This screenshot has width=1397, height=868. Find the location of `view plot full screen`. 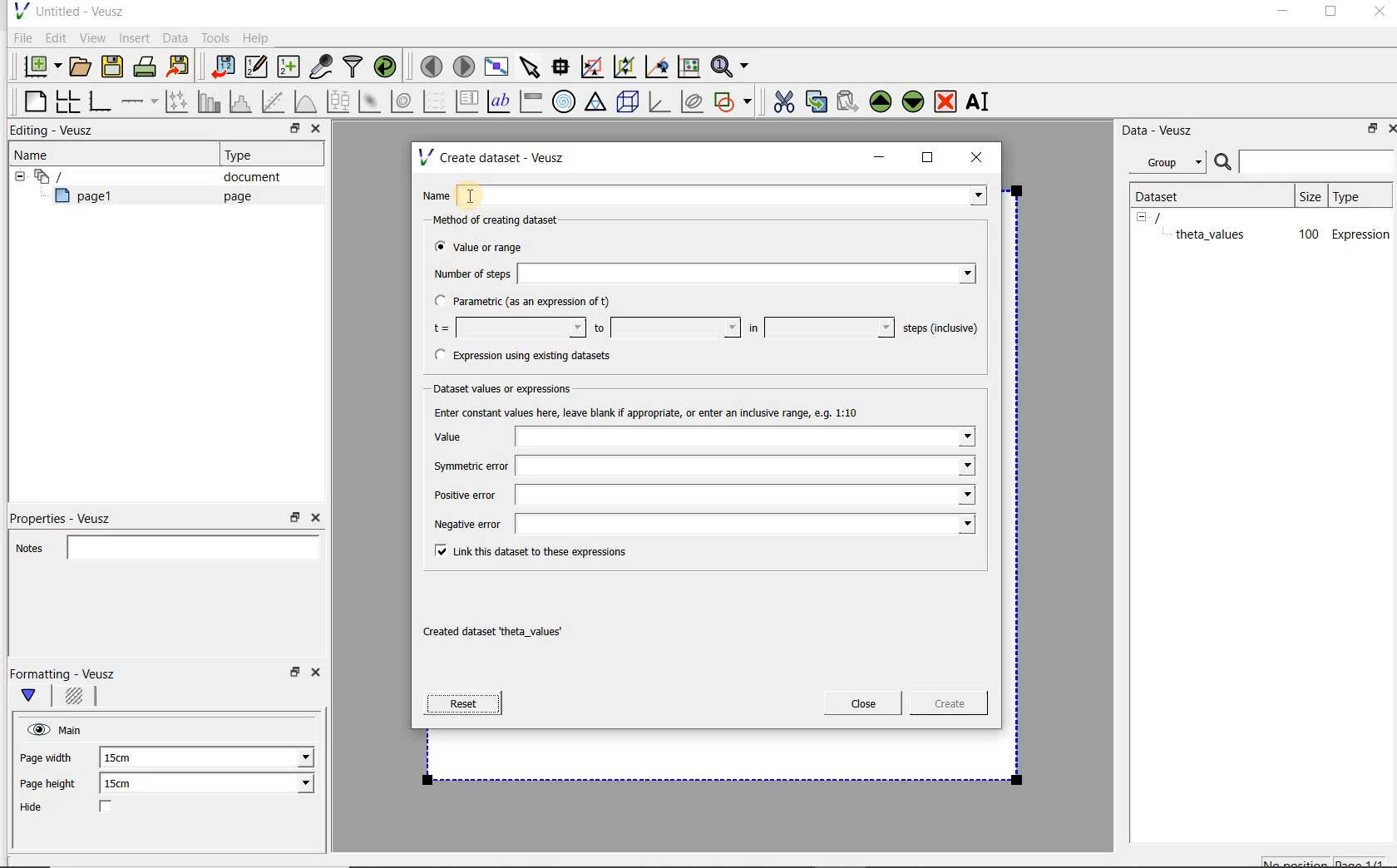

view plot full screen is located at coordinates (495, 65).